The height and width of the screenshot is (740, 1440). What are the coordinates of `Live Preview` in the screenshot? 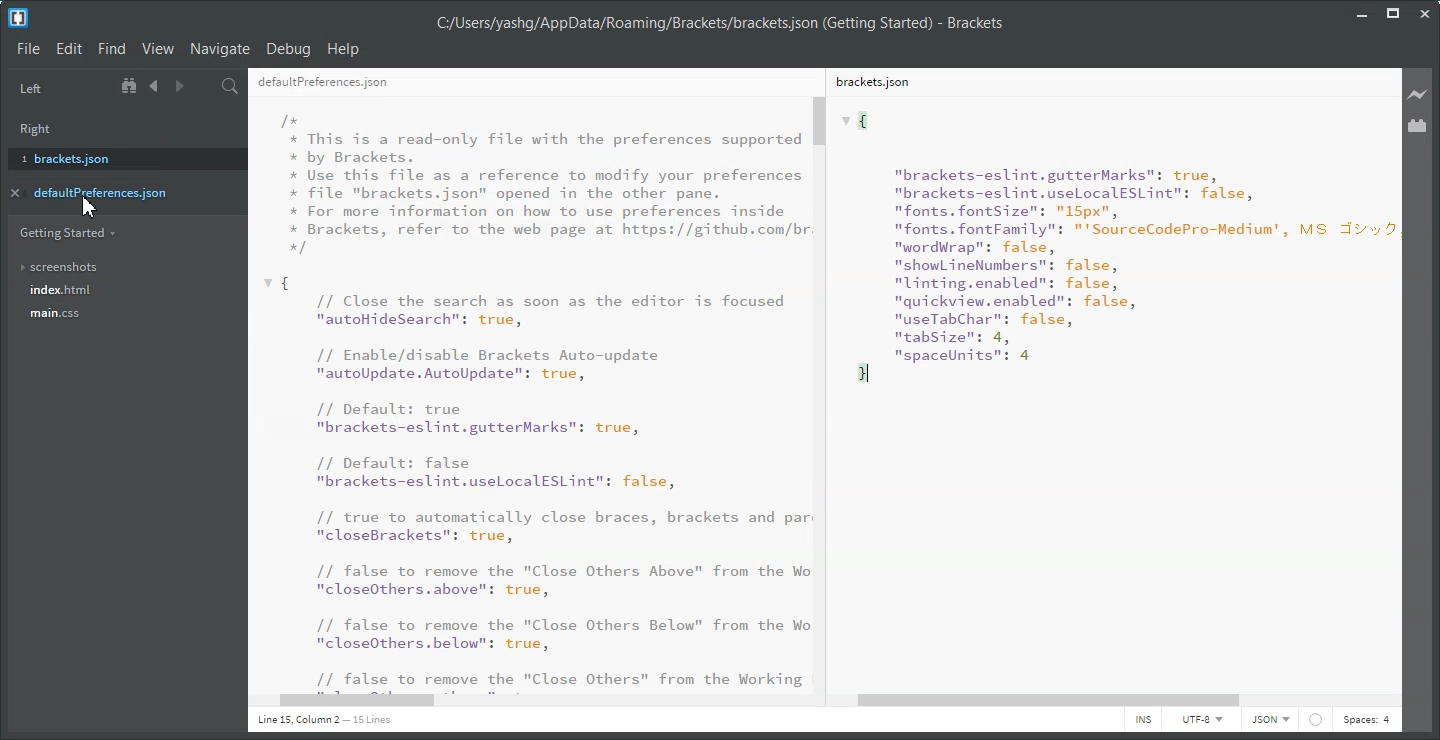 It's located at (1418, 94).